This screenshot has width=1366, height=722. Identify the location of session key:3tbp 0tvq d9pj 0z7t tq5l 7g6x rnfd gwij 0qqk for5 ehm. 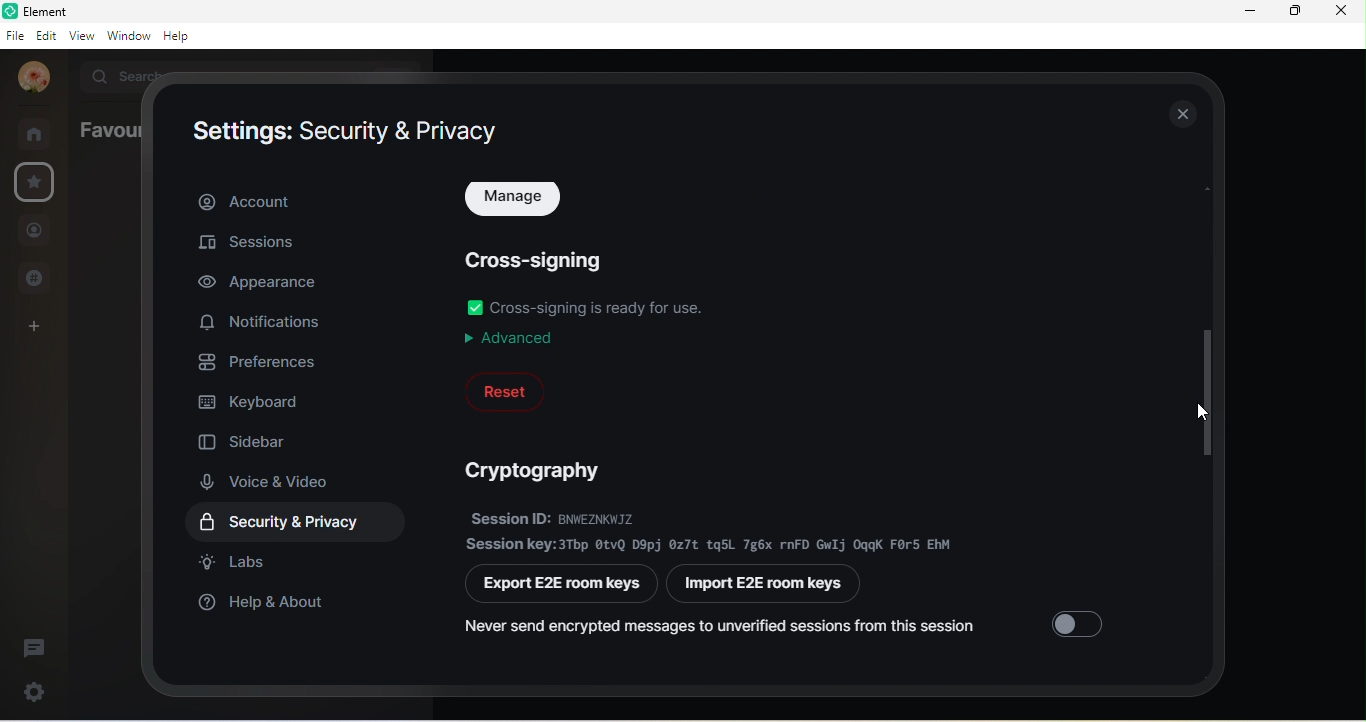
(712, 544).